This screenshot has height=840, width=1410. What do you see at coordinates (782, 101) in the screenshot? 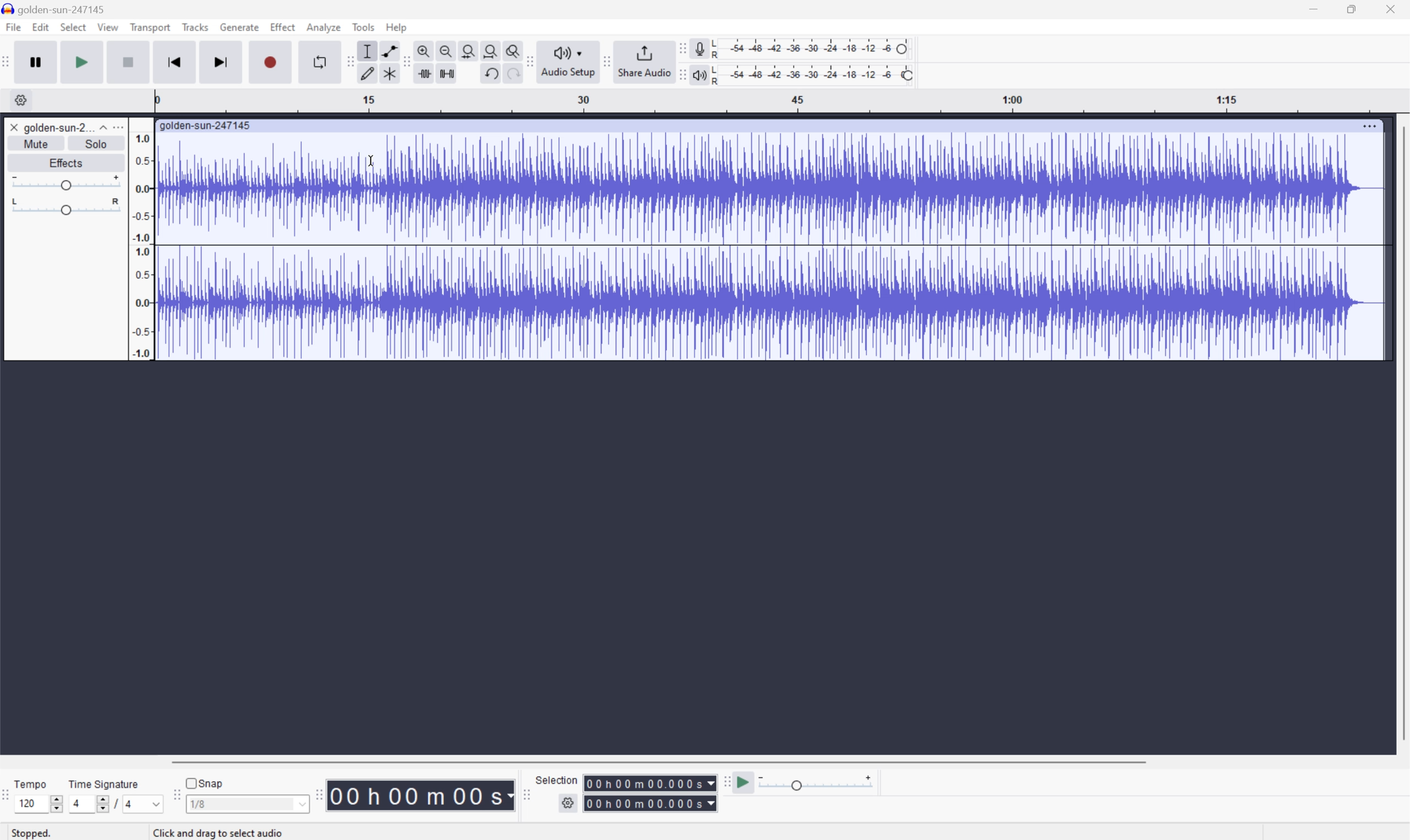
I see `Scale` at bounding box center [782, 101].